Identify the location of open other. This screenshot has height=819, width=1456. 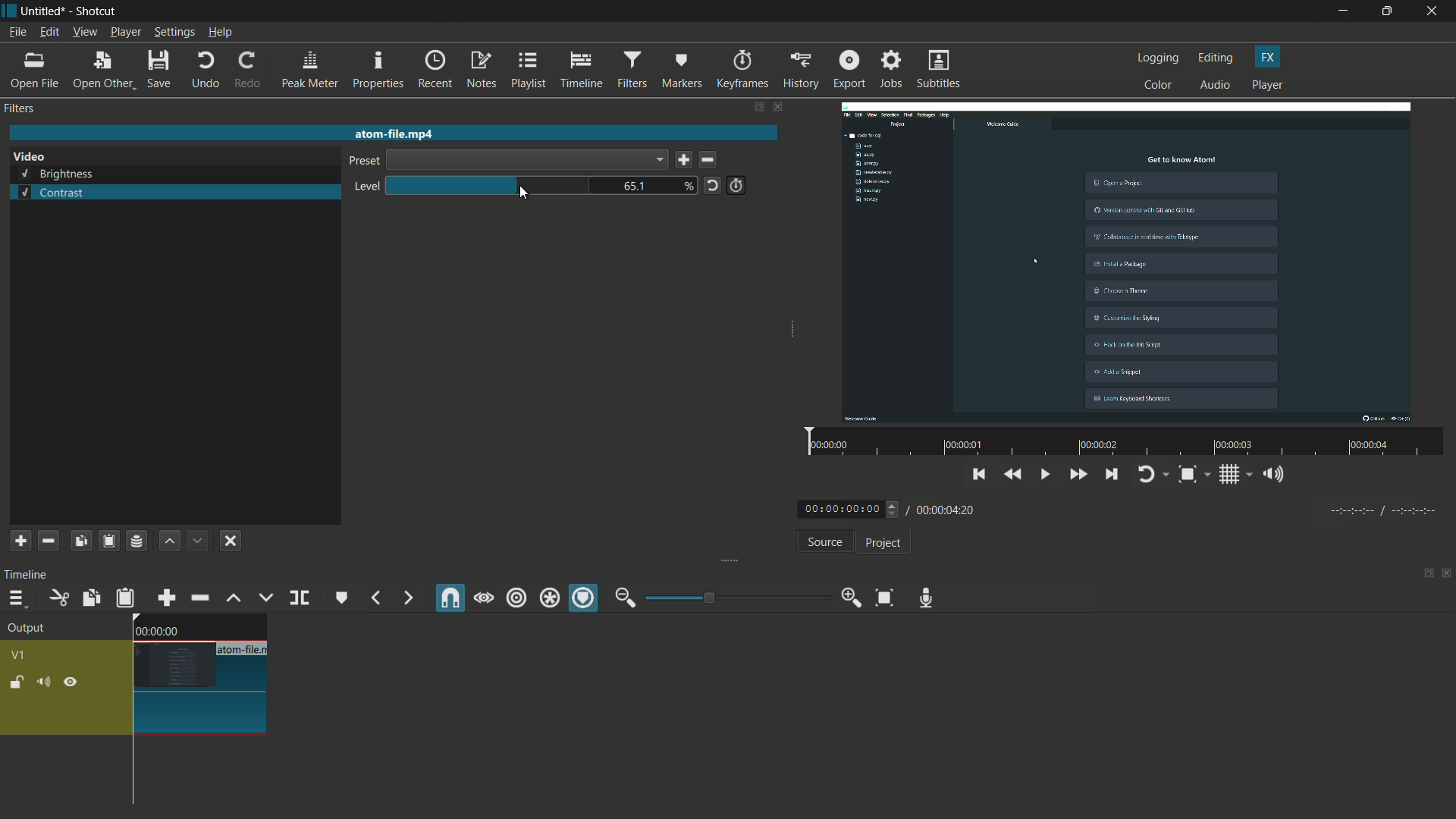
(103, 71).